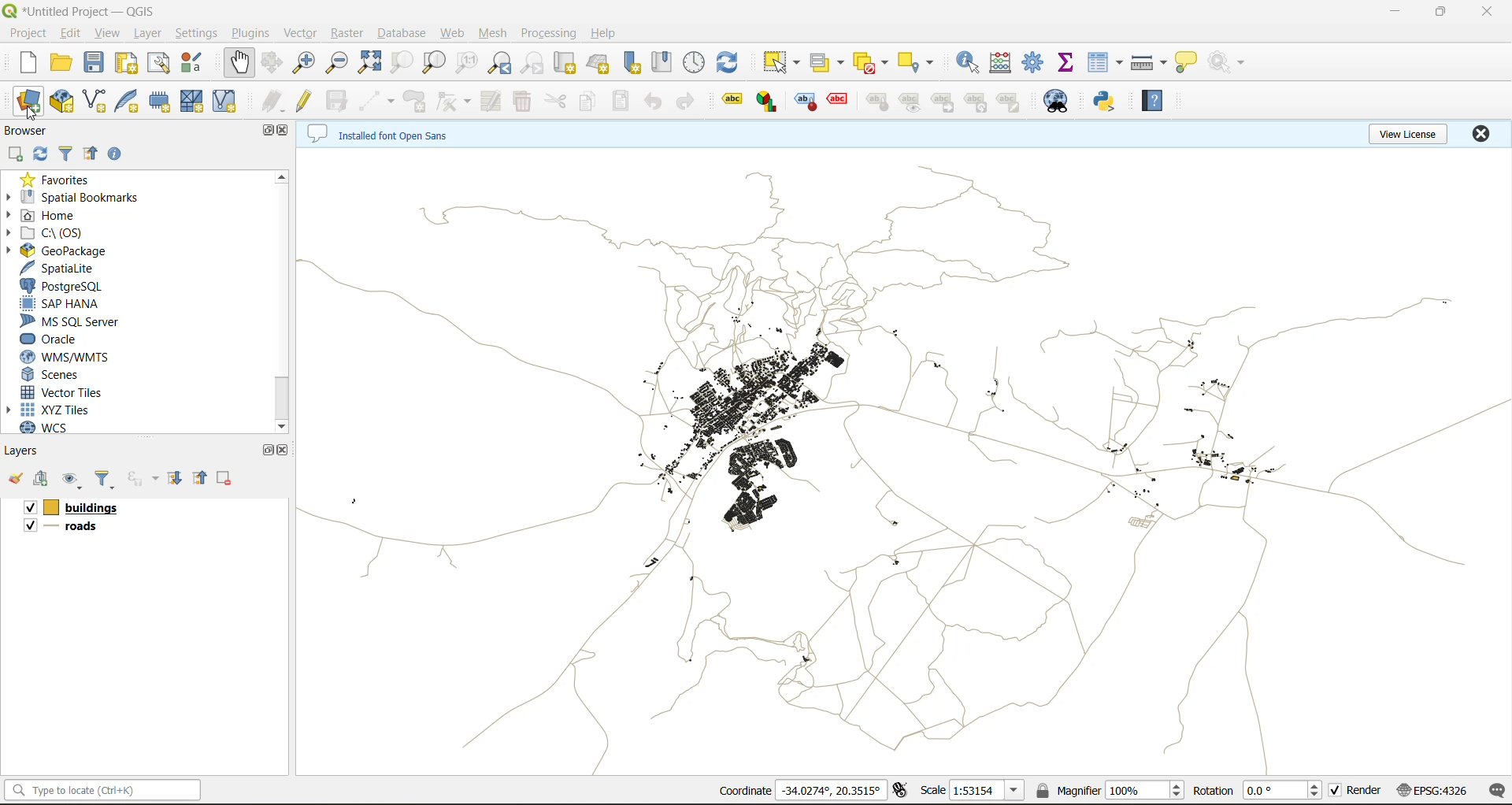  I want to click on label tool, so click(1014, 102).